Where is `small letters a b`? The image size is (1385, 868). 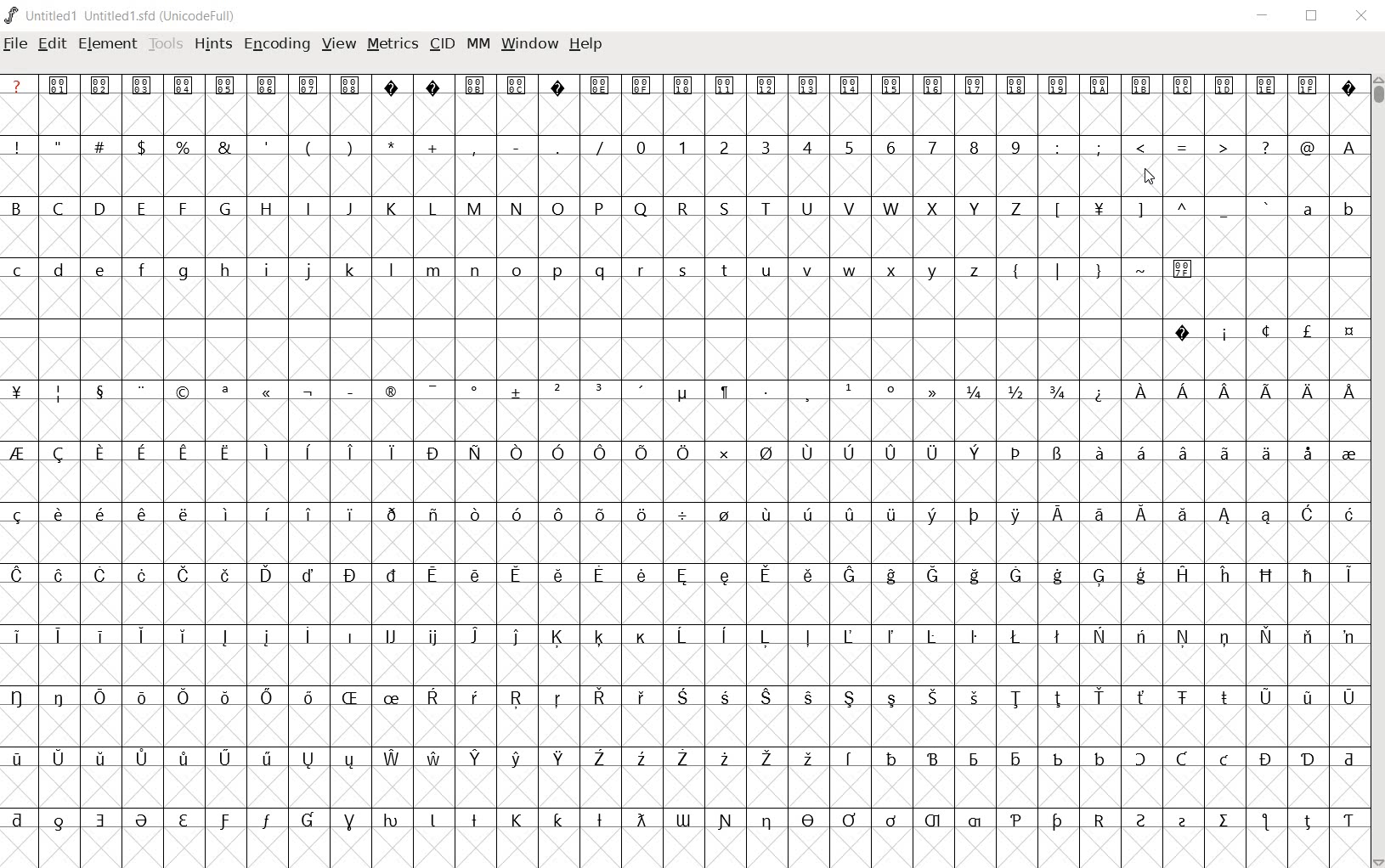 small letters a b is located at coordinates (1324, 208).